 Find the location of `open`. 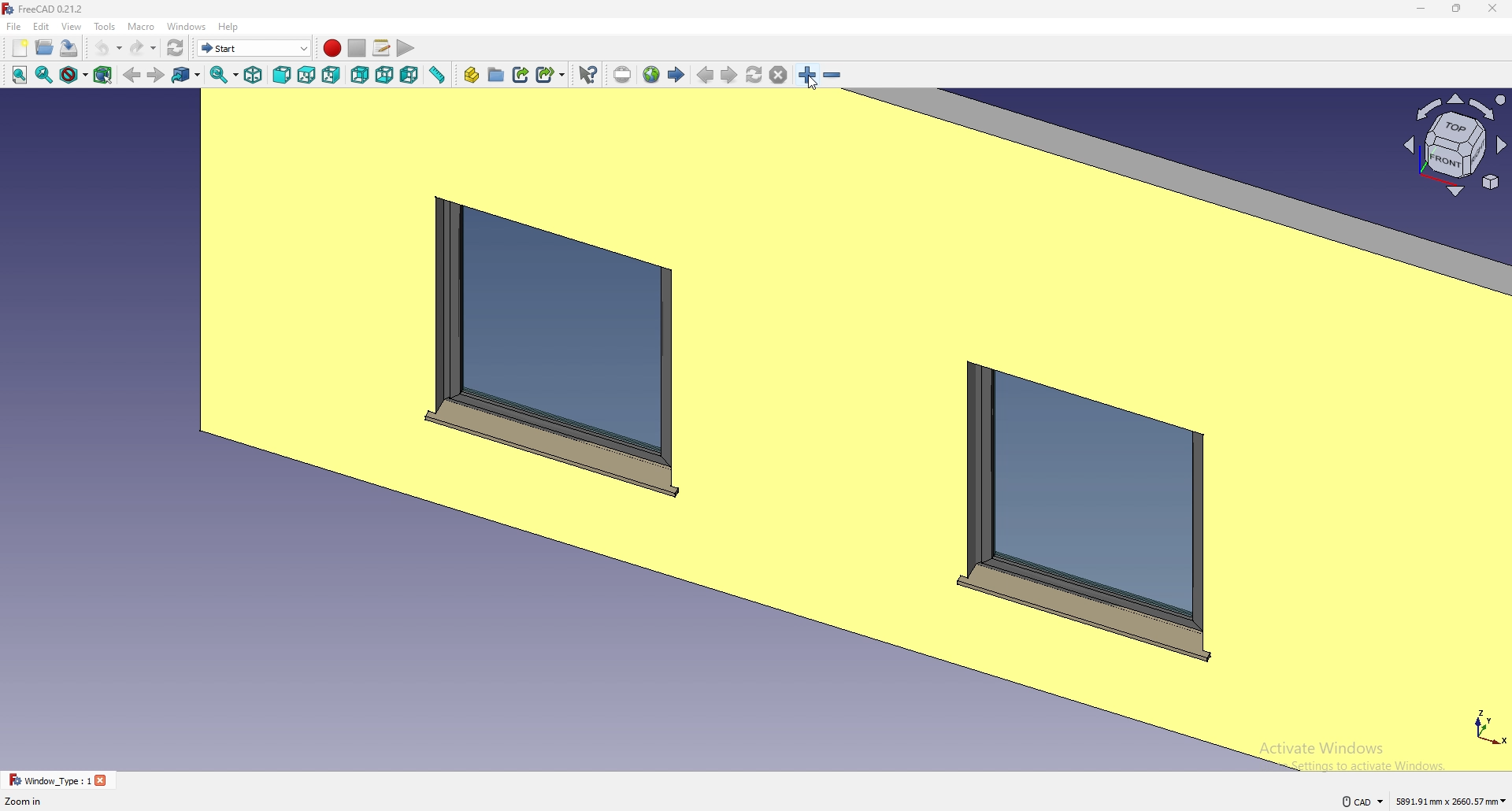

open is located at coordinates (44, 48).